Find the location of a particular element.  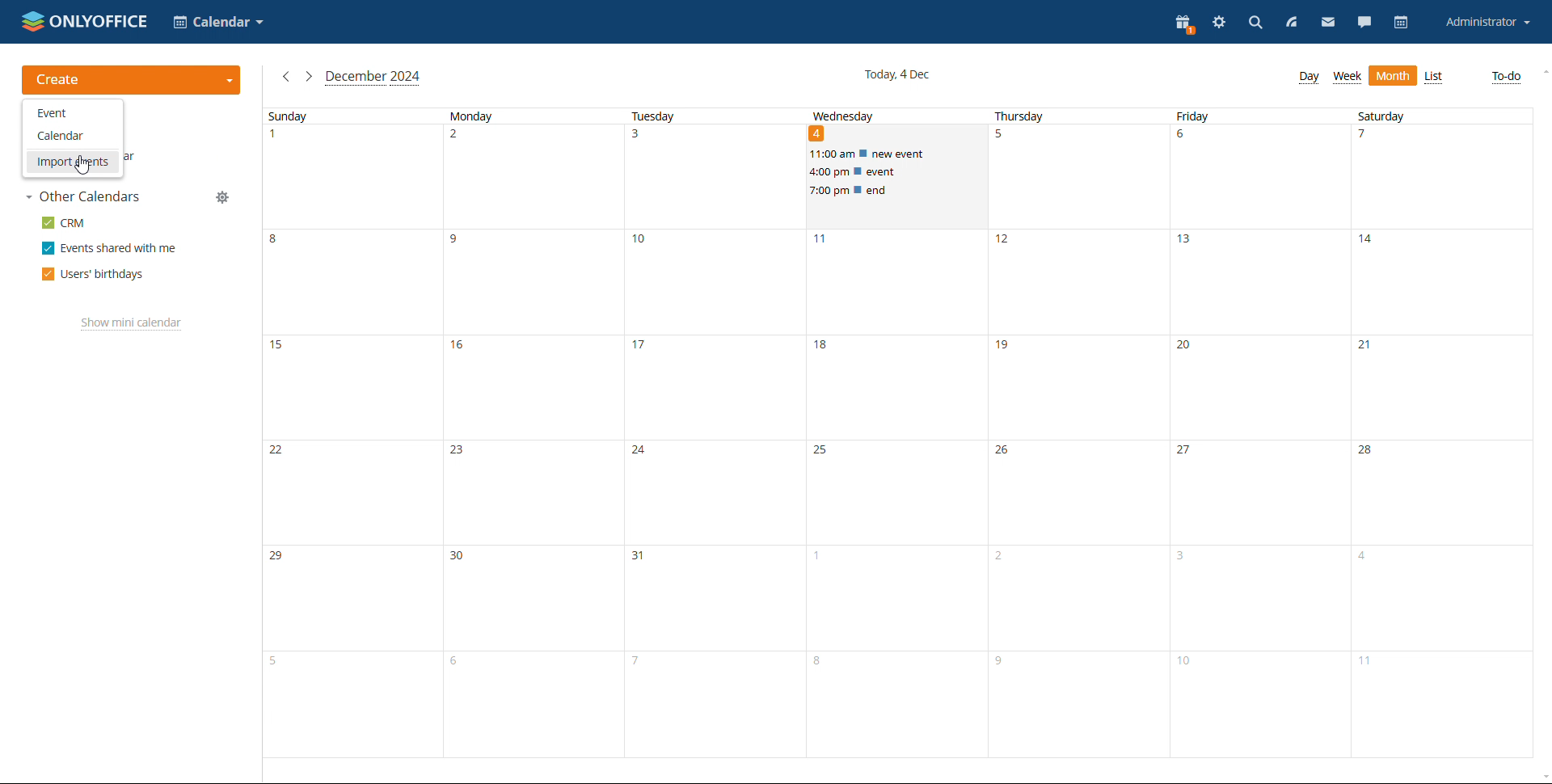

wednesday is located at coordinates (899, 485).